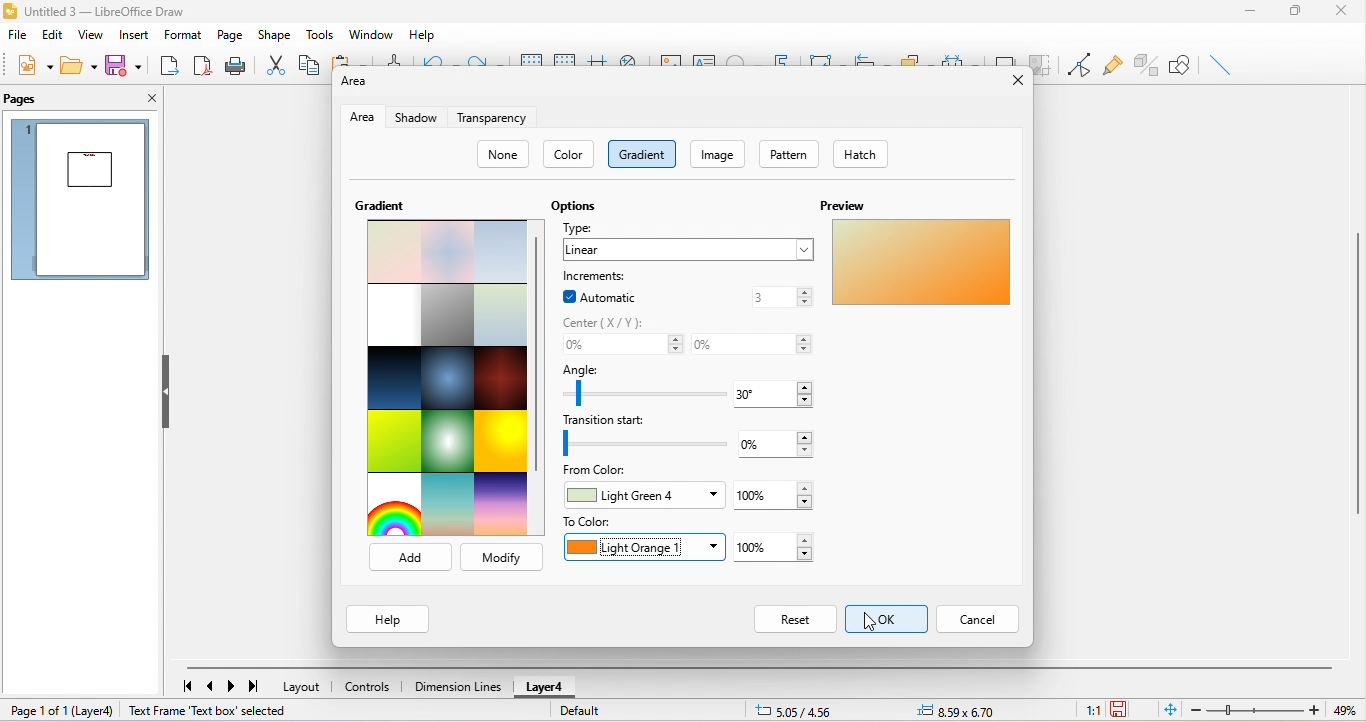 This screenshot has width=1366, height=722. What do you see at coordinates (16, 34) in the screenshot?
I see `file` at bounding box center [16, 34].